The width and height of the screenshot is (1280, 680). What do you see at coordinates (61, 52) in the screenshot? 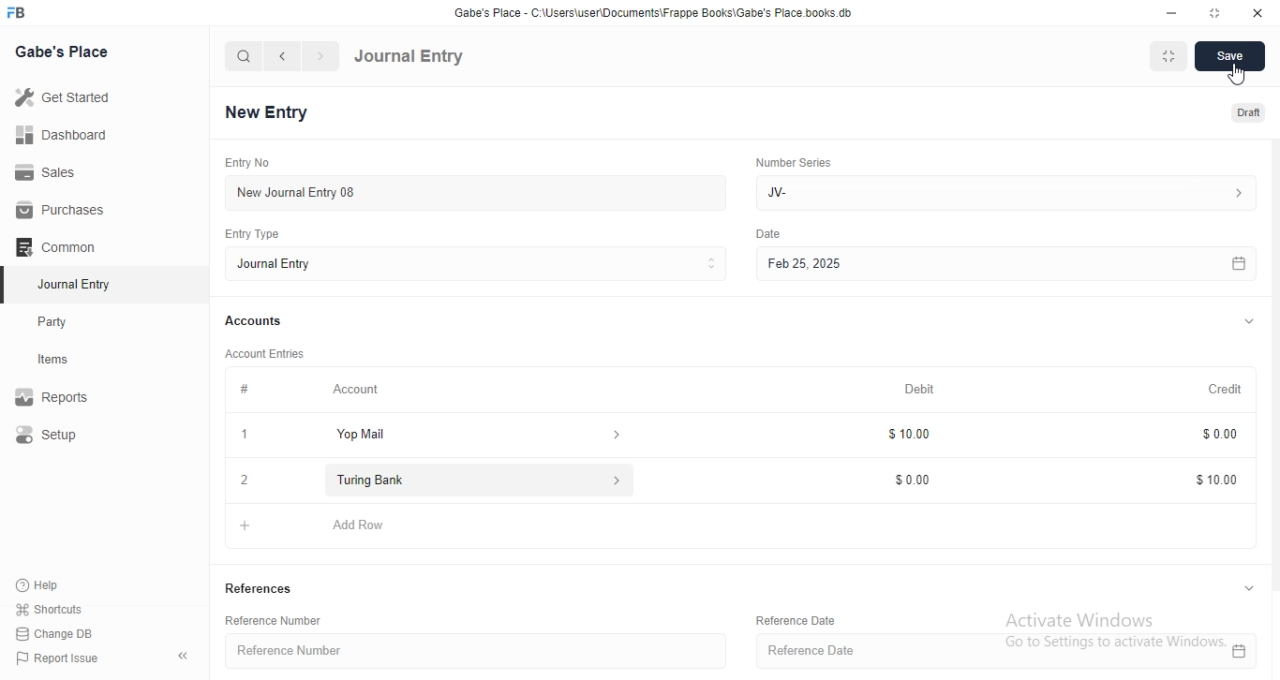
I see `Gabe's Place` at bounding box center [61, 52].